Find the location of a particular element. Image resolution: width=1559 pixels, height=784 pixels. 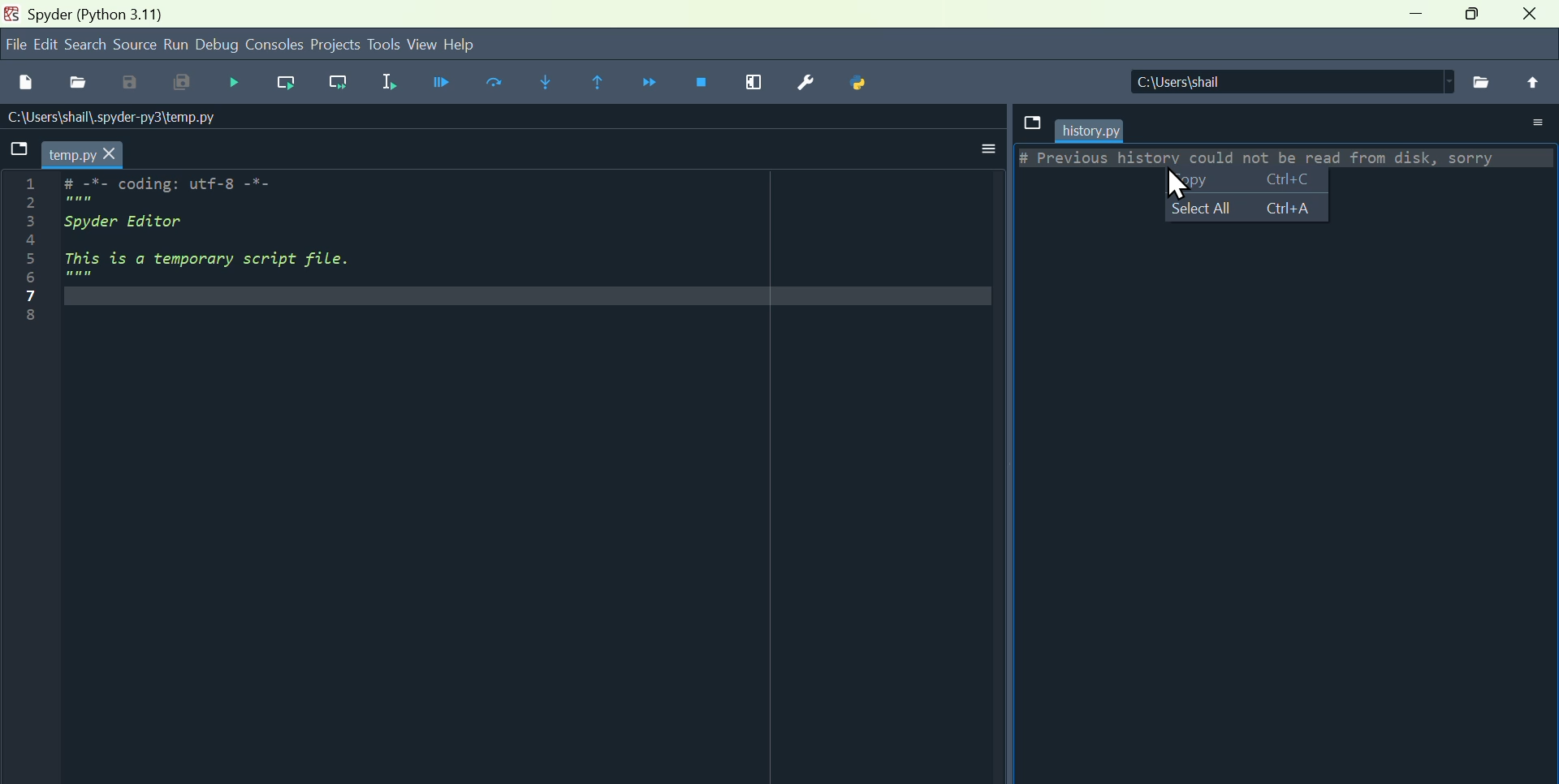

Save all is located at coordinates (178, 84).